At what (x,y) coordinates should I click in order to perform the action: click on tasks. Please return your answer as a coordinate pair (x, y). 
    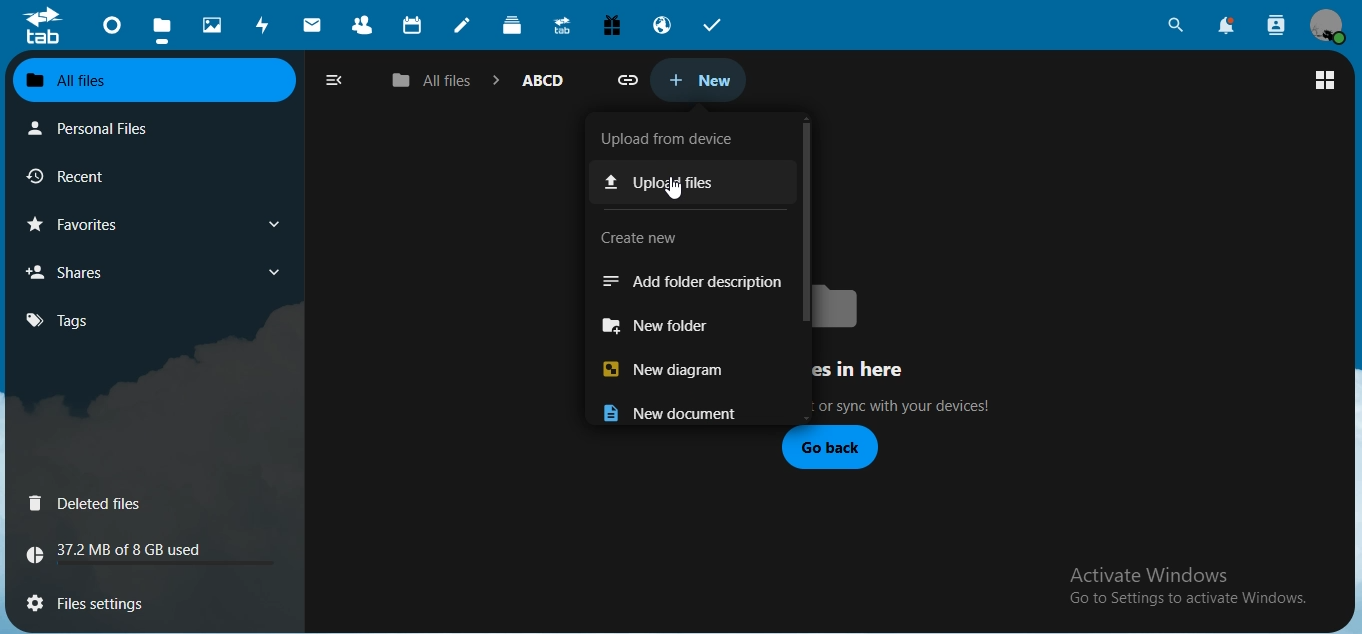
    Looking at the image, I should click on (713, 24).